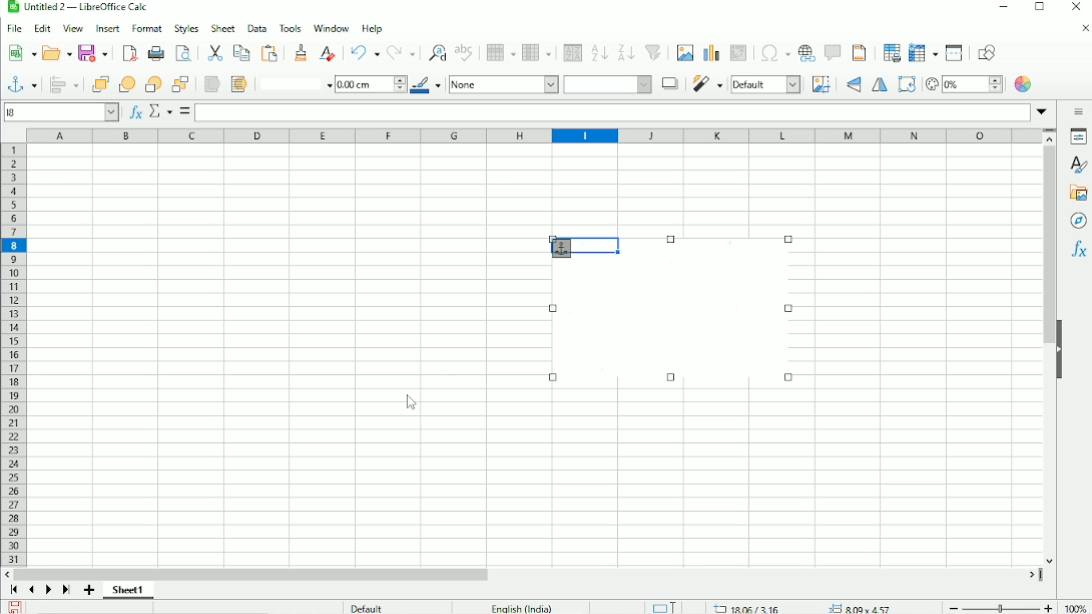 The height and width of the screenshot is (614, 1092). I want to click on Properties, so click(1078, 139).